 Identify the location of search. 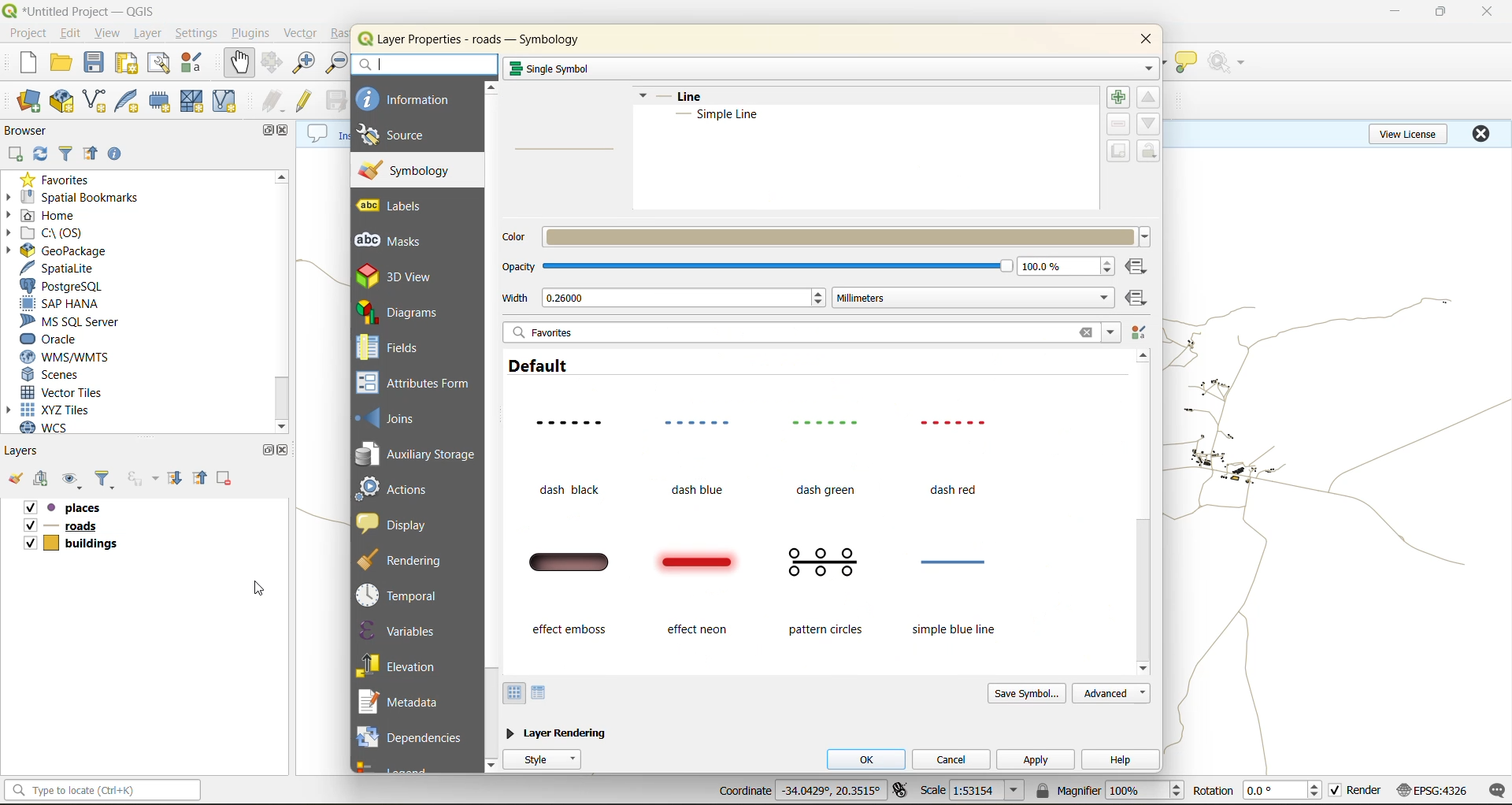
(417, 62).